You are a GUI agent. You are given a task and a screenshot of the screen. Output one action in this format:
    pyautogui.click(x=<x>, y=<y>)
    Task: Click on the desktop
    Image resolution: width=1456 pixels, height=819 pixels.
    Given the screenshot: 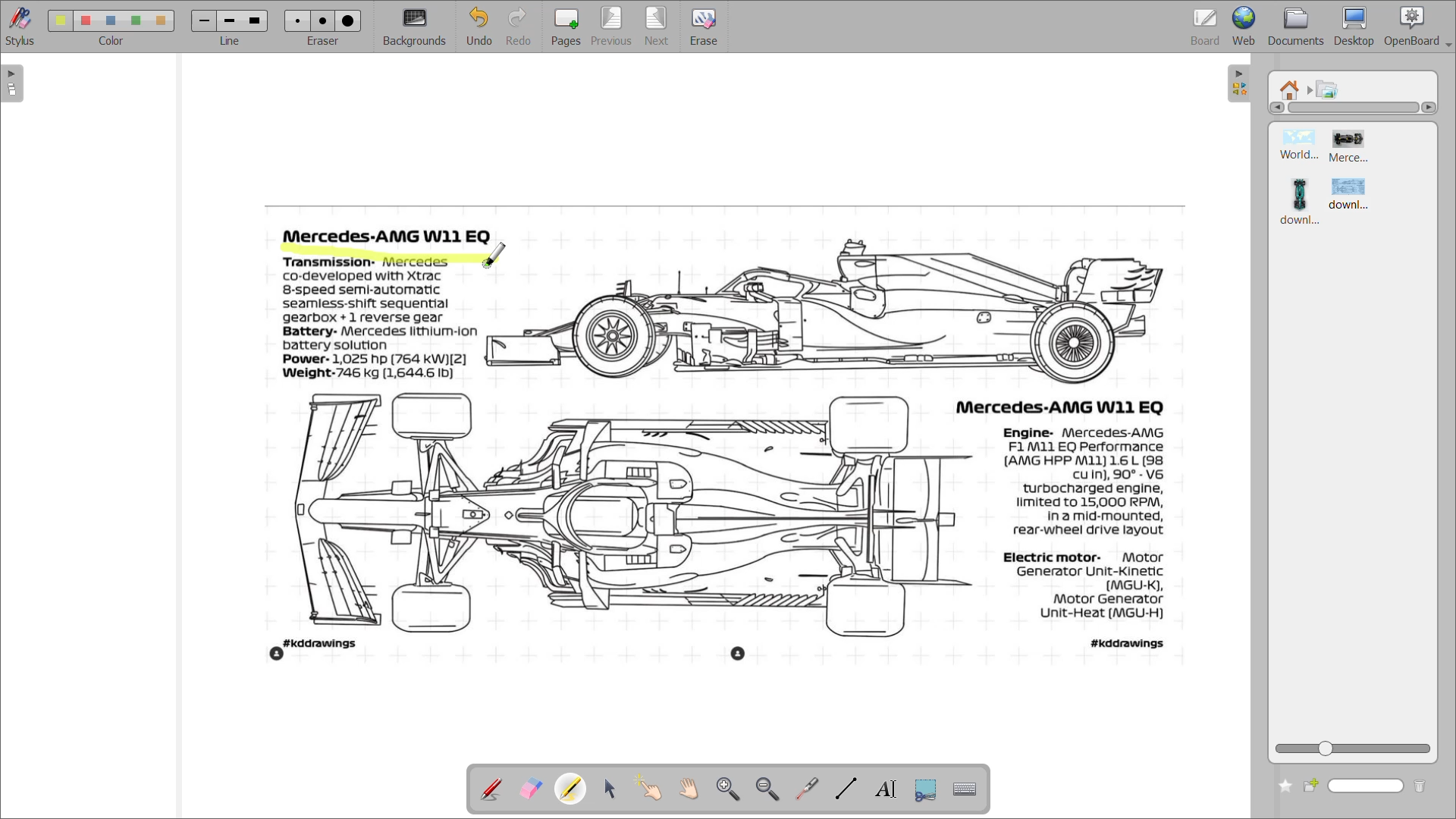 What is the action you would take?
    pyautogui.click(x=1358, y=27)
    